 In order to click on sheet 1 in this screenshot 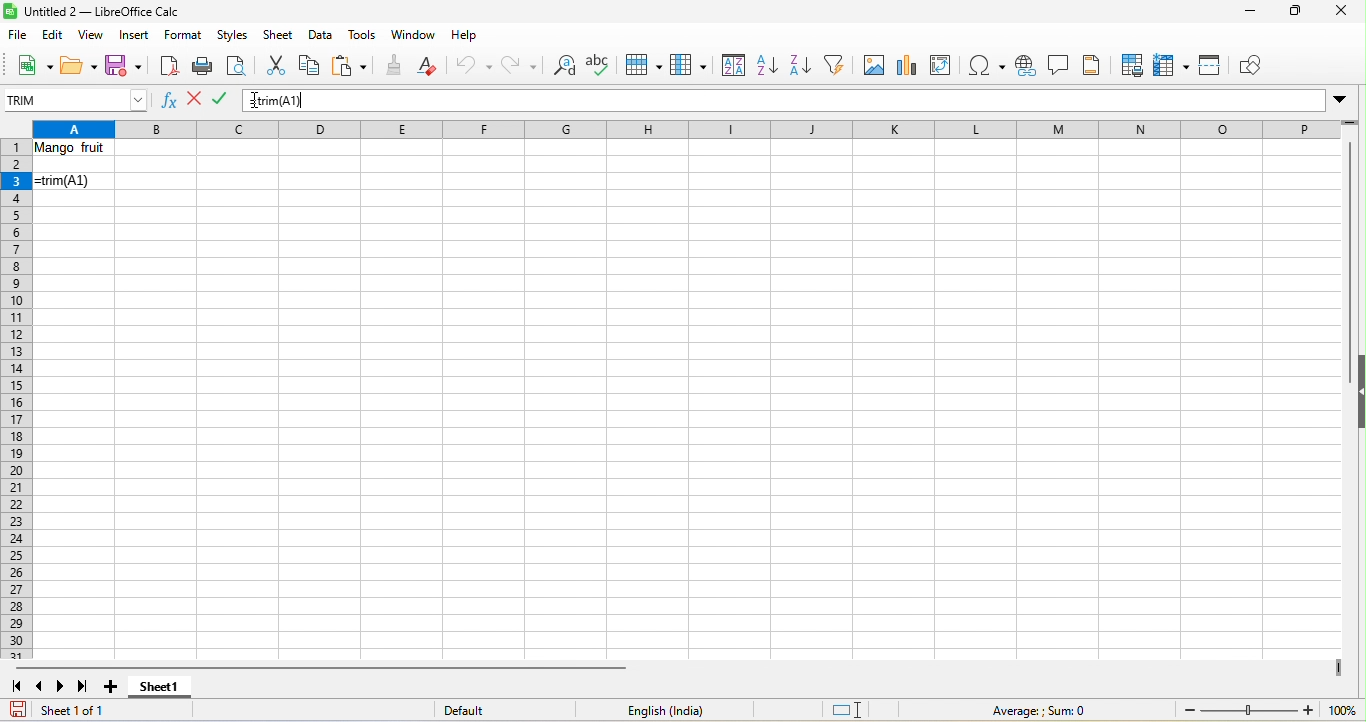, I will do `click(158, 691)`.